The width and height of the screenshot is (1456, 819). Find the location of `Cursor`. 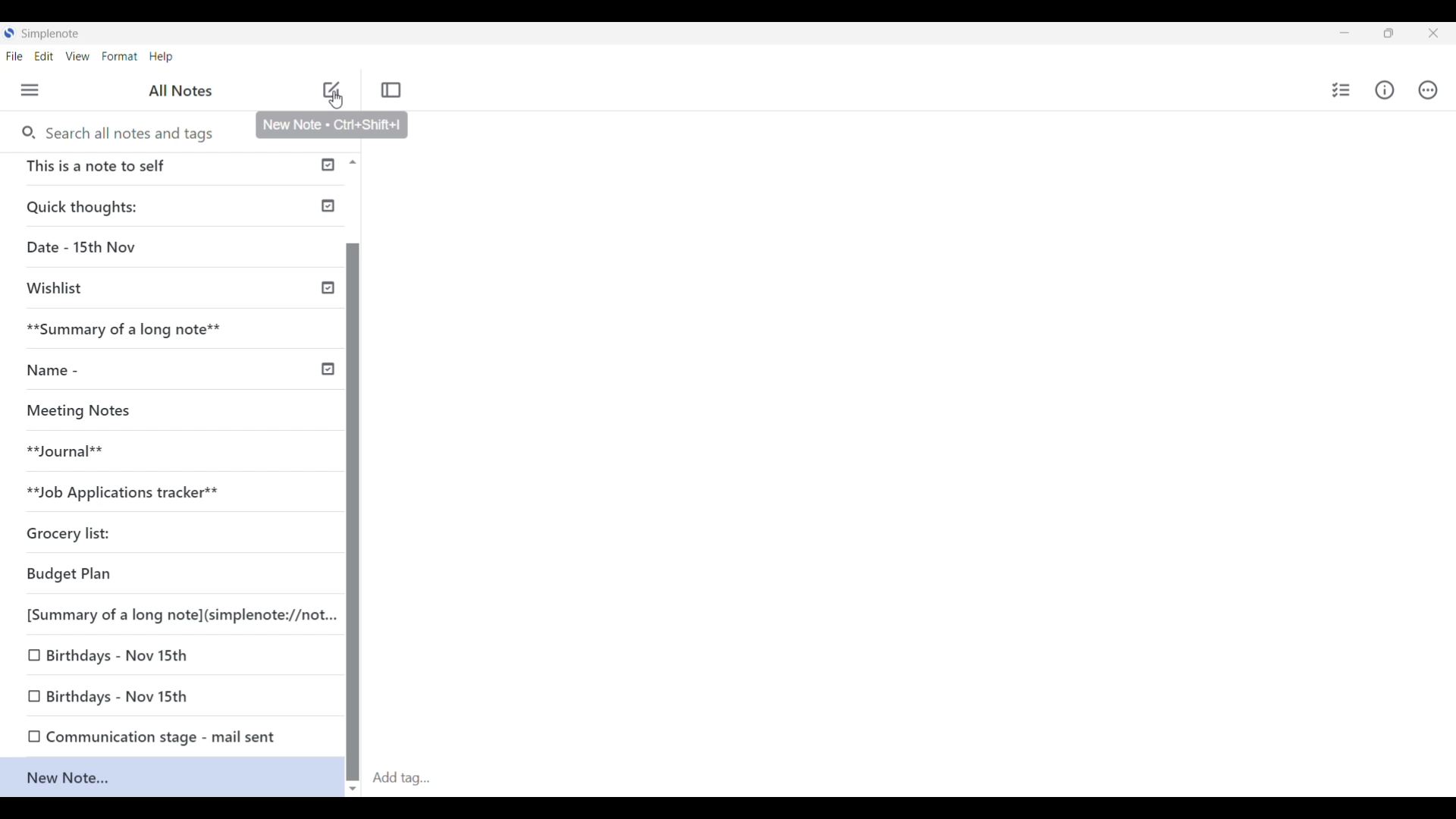

Cursor is located at coordinates (333, 99).